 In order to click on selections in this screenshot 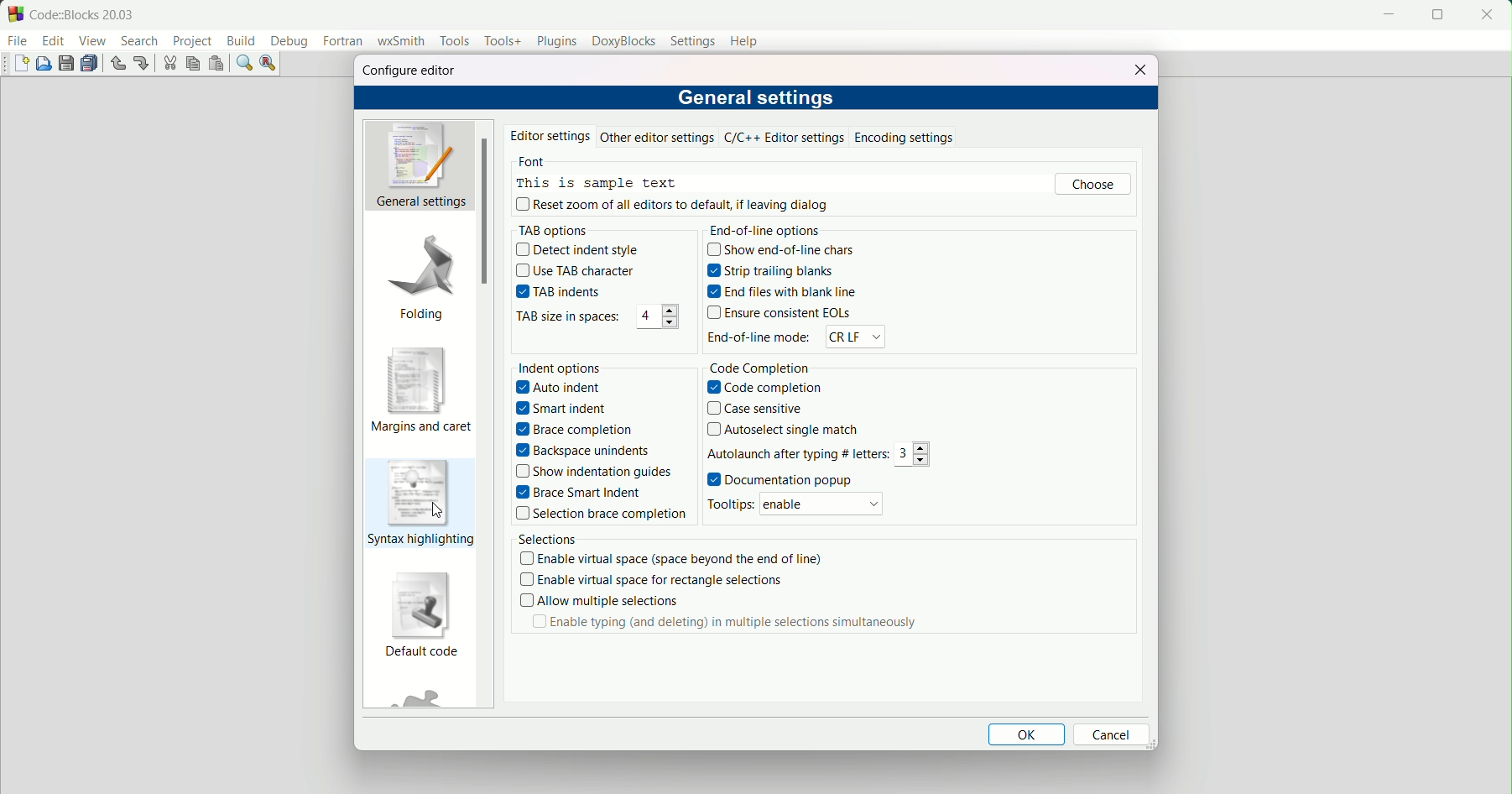, I will do `click(545, 539)`.